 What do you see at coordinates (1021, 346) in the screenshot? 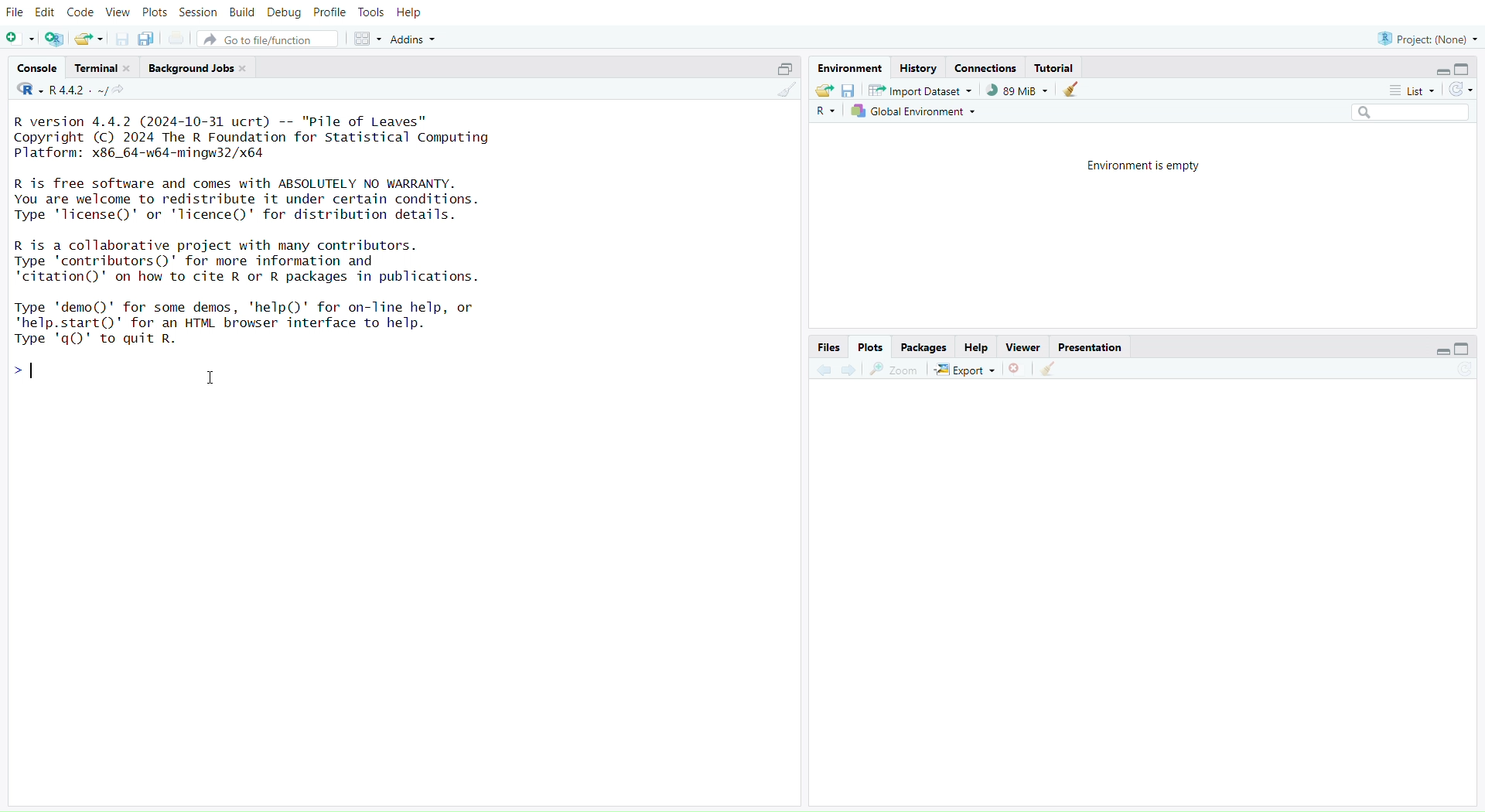
I see `Viewer` at bounding box center [1021, 346].